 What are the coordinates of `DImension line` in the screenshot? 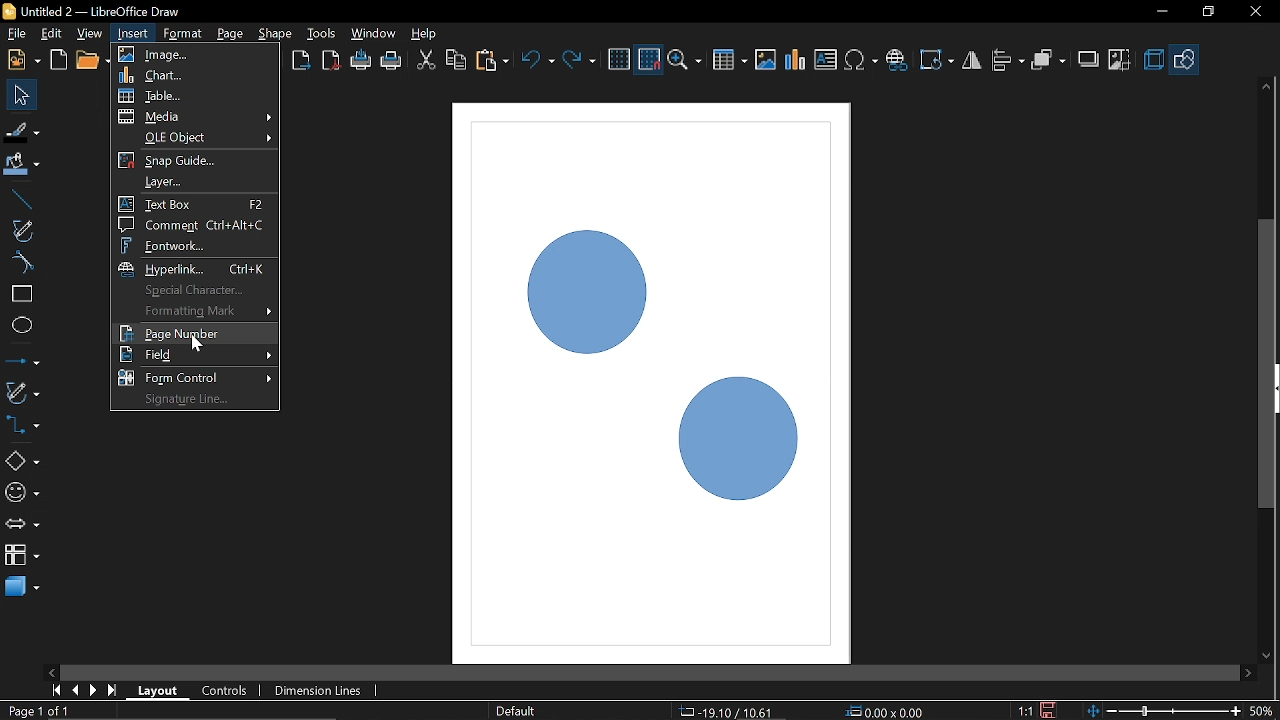 It's located at (321, 692).